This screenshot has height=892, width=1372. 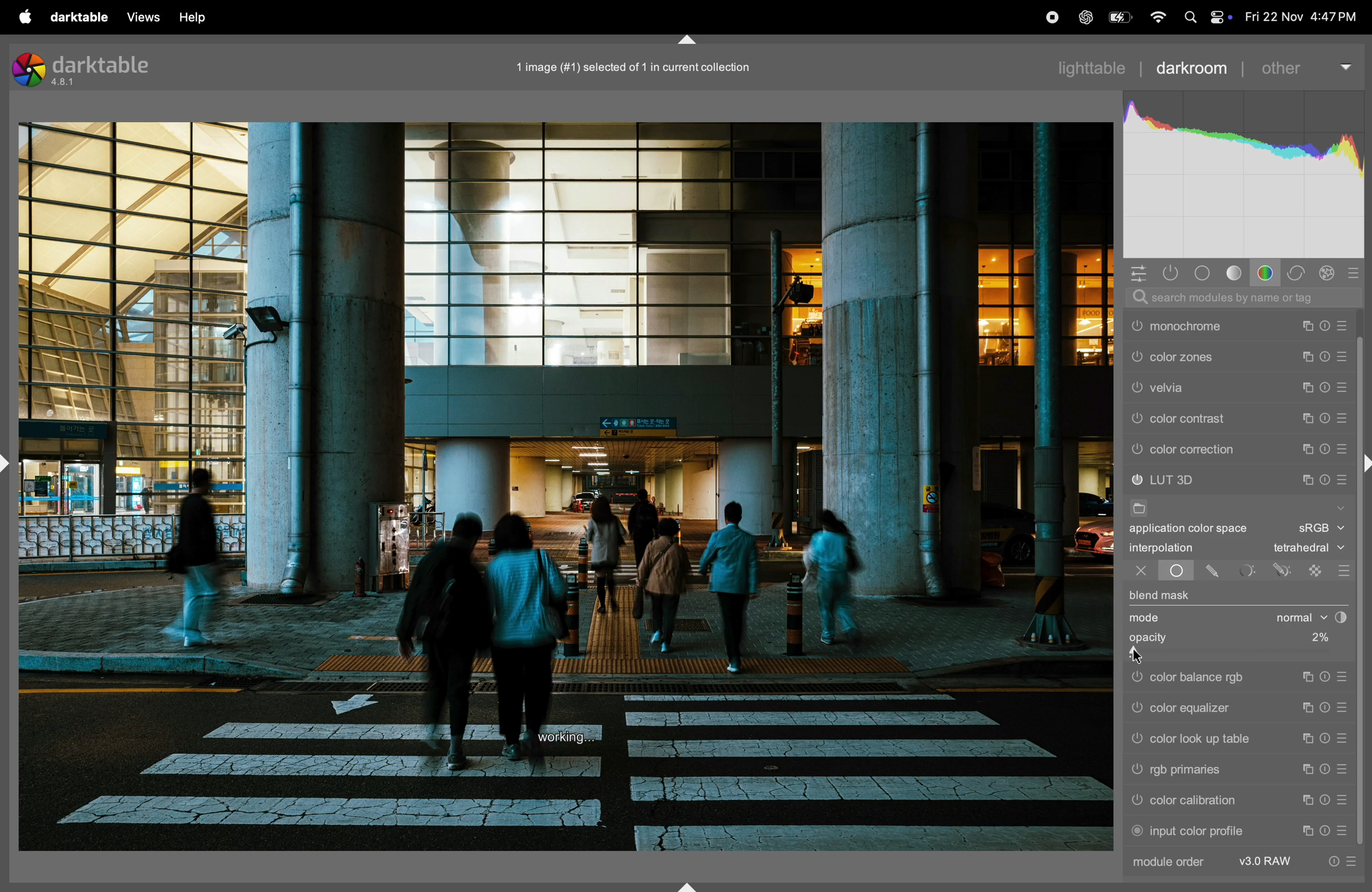 What do you see at coordinates (1136, 678) in the screenshot?
I see `color balance rgb switched off` at bounding box center [1136, 678].